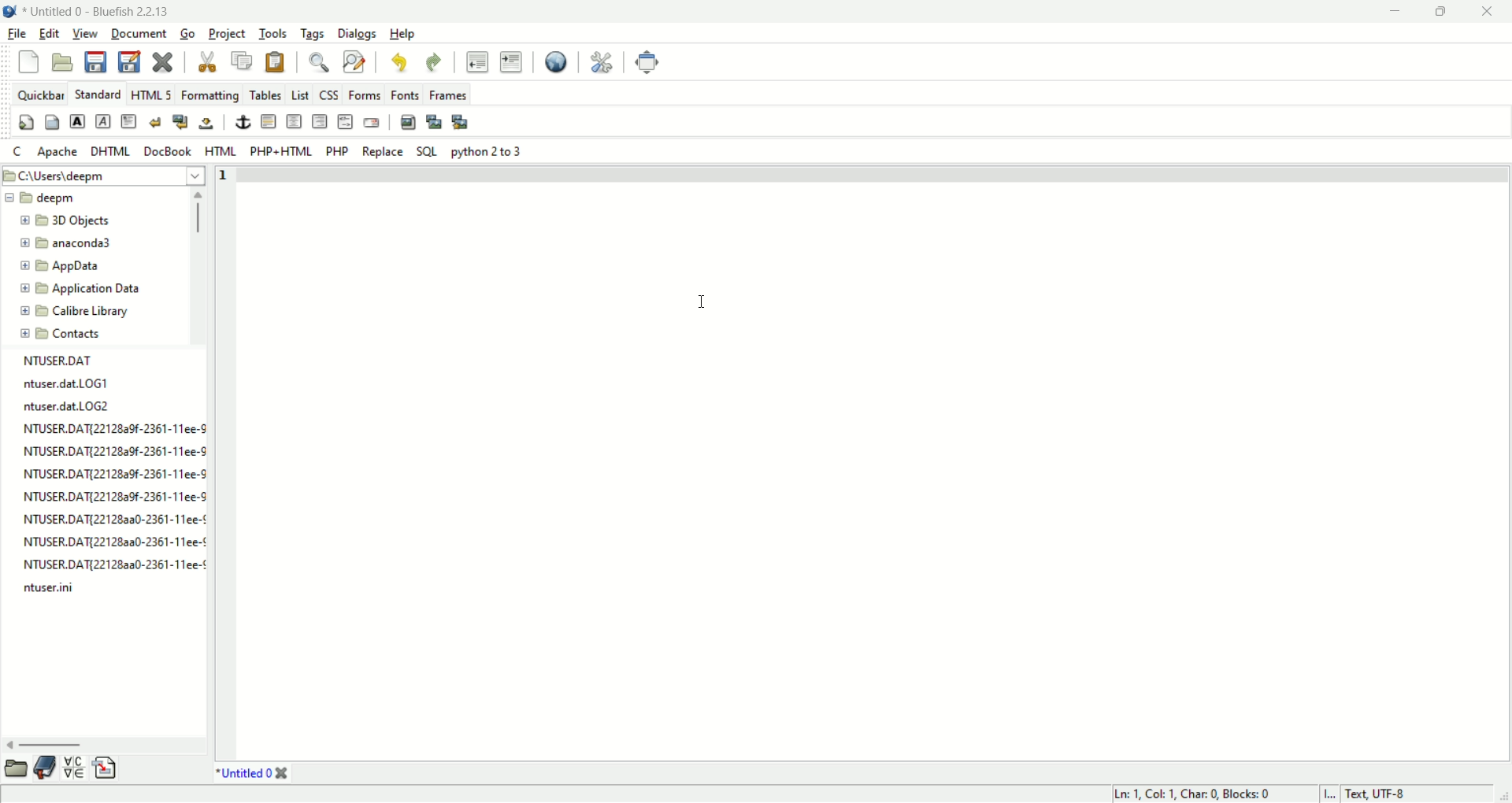 This screenshot has height=803, width=1512. Describe the element at coordinates (403, 34) in the screenshot. I see `help` at that location.